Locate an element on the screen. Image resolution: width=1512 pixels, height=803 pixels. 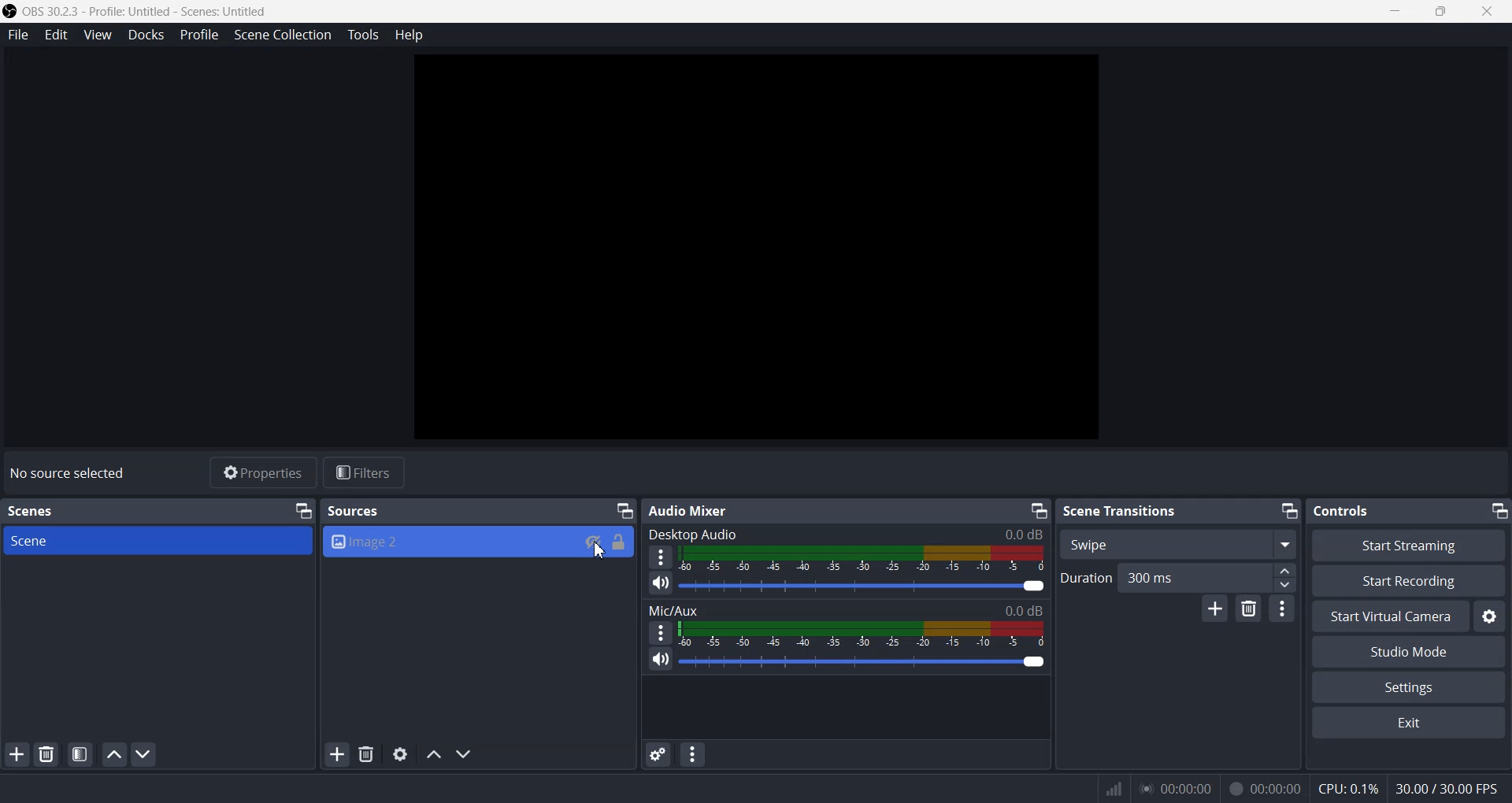
Minimize is located at coordinates (1039, 510).